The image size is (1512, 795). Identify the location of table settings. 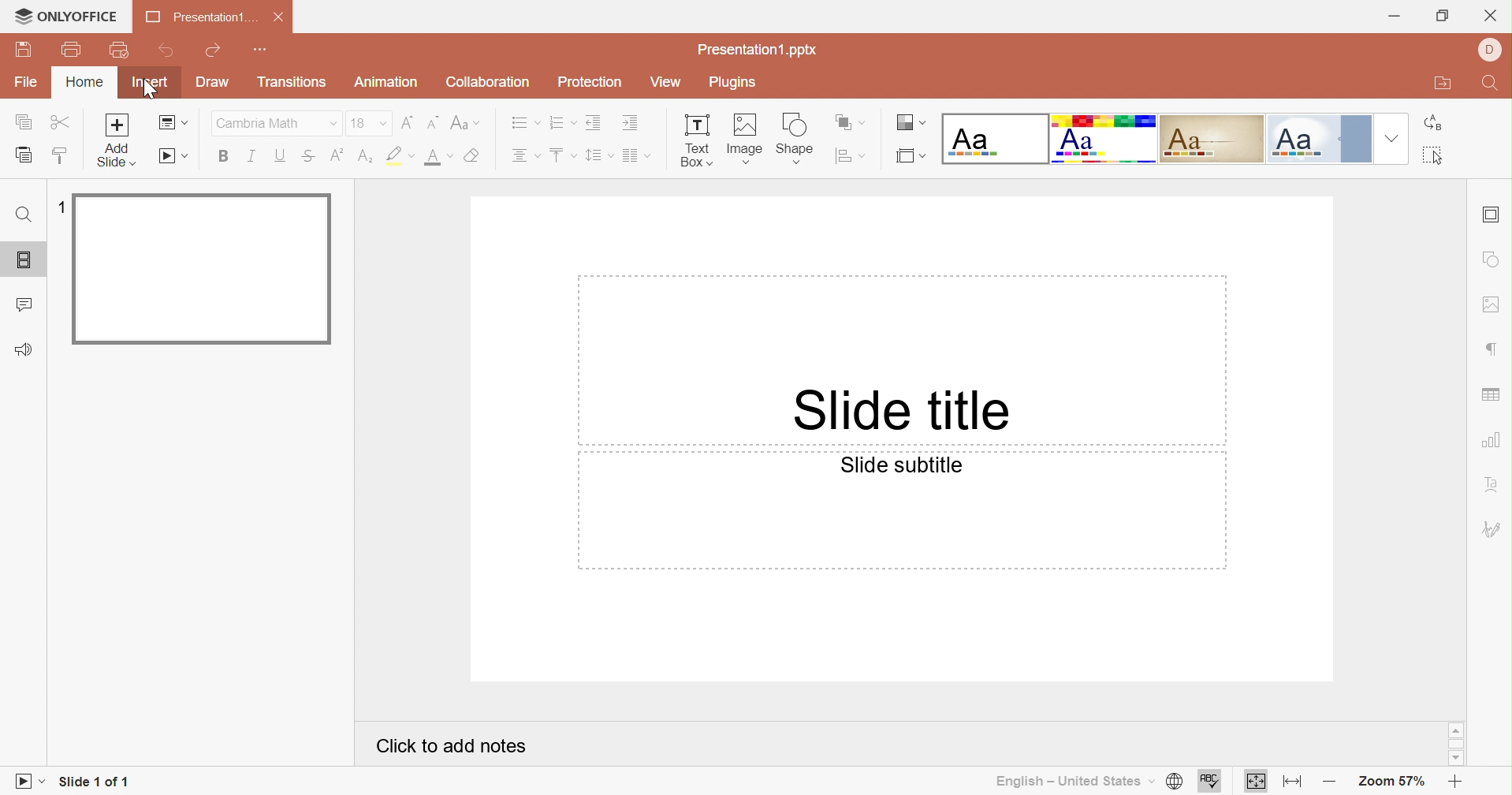
(1493, 396).